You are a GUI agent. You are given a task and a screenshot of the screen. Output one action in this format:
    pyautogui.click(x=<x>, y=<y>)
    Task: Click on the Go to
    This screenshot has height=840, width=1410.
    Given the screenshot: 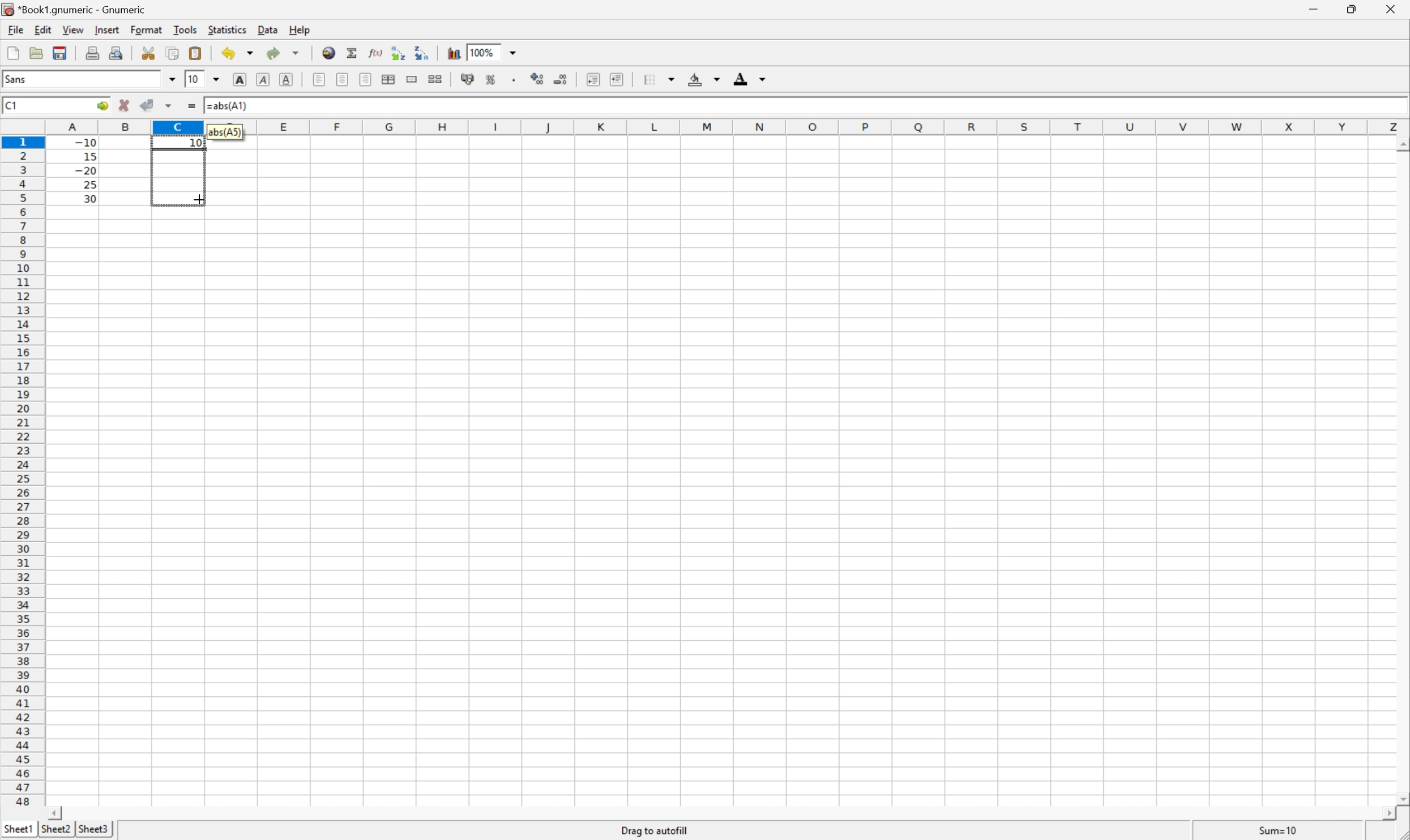 What is the action you would take?
    pyautogui.click(x=101, y=106)
    